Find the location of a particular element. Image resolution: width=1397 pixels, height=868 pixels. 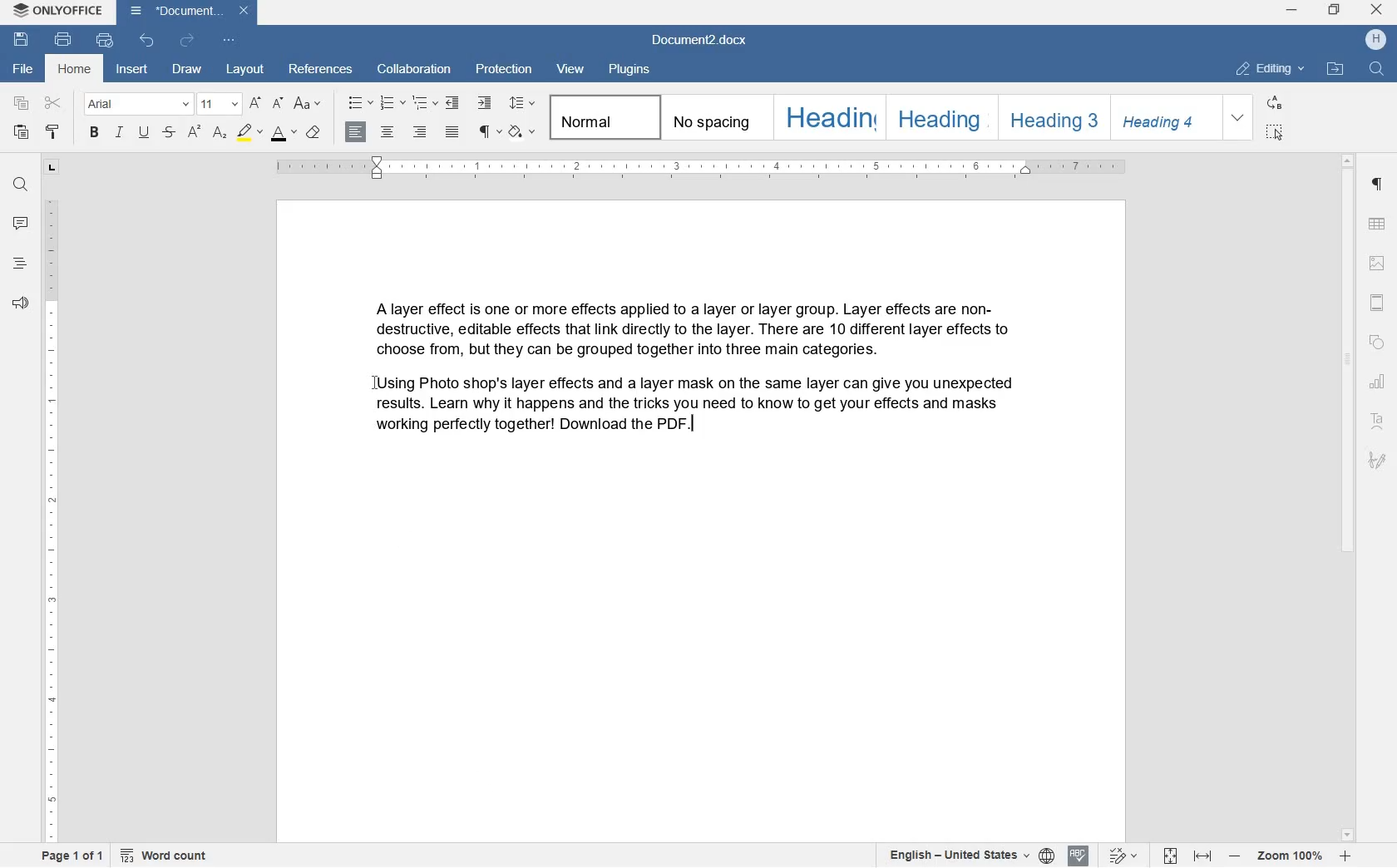

HEADERS & FOOTERS is located at coordinates (1377, 262).